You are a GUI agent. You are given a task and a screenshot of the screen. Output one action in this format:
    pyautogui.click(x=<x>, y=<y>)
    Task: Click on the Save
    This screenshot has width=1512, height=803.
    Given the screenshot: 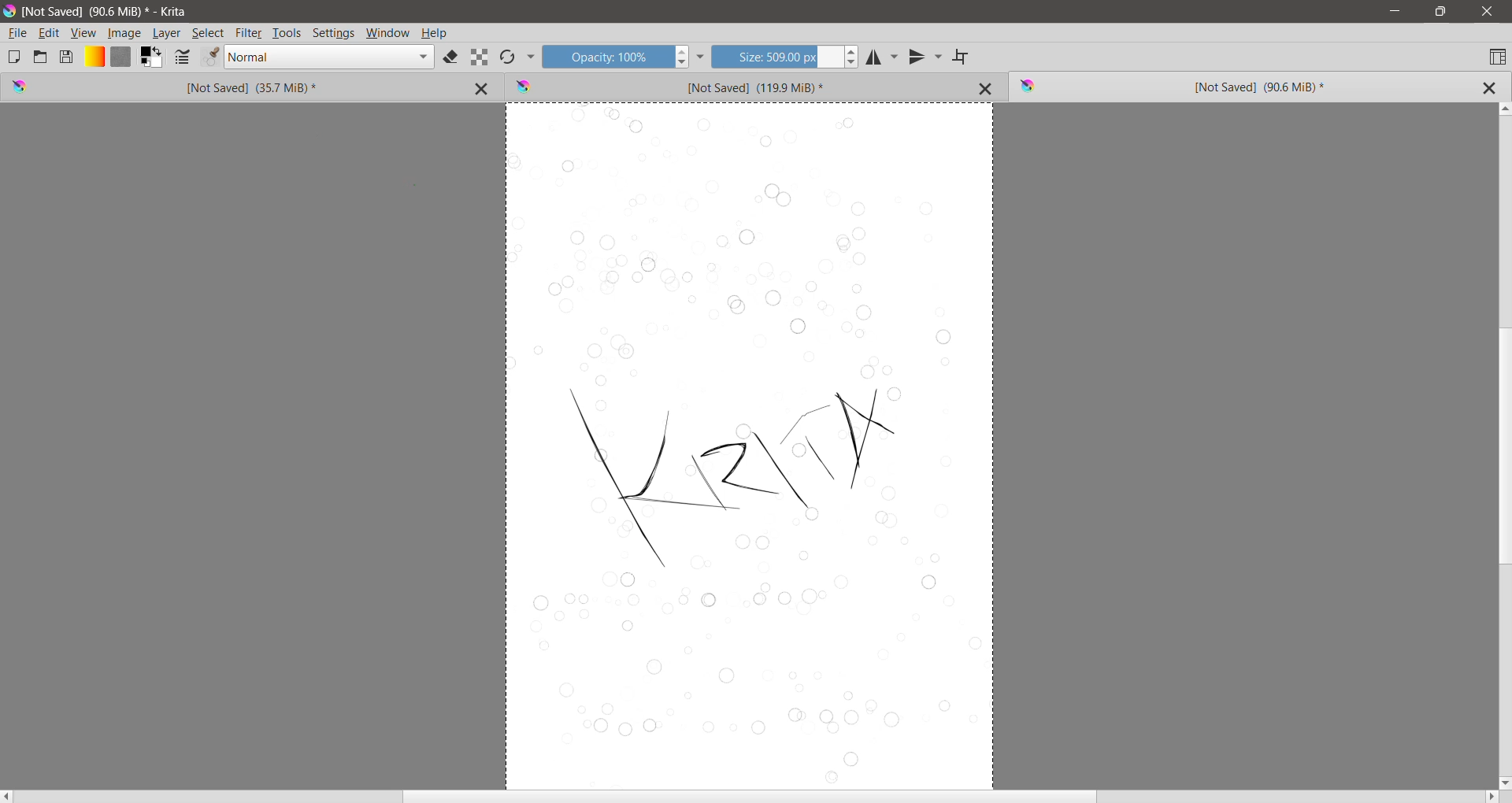 What is the action you would take?
    pyautogui.click(x=67, y=56)
    